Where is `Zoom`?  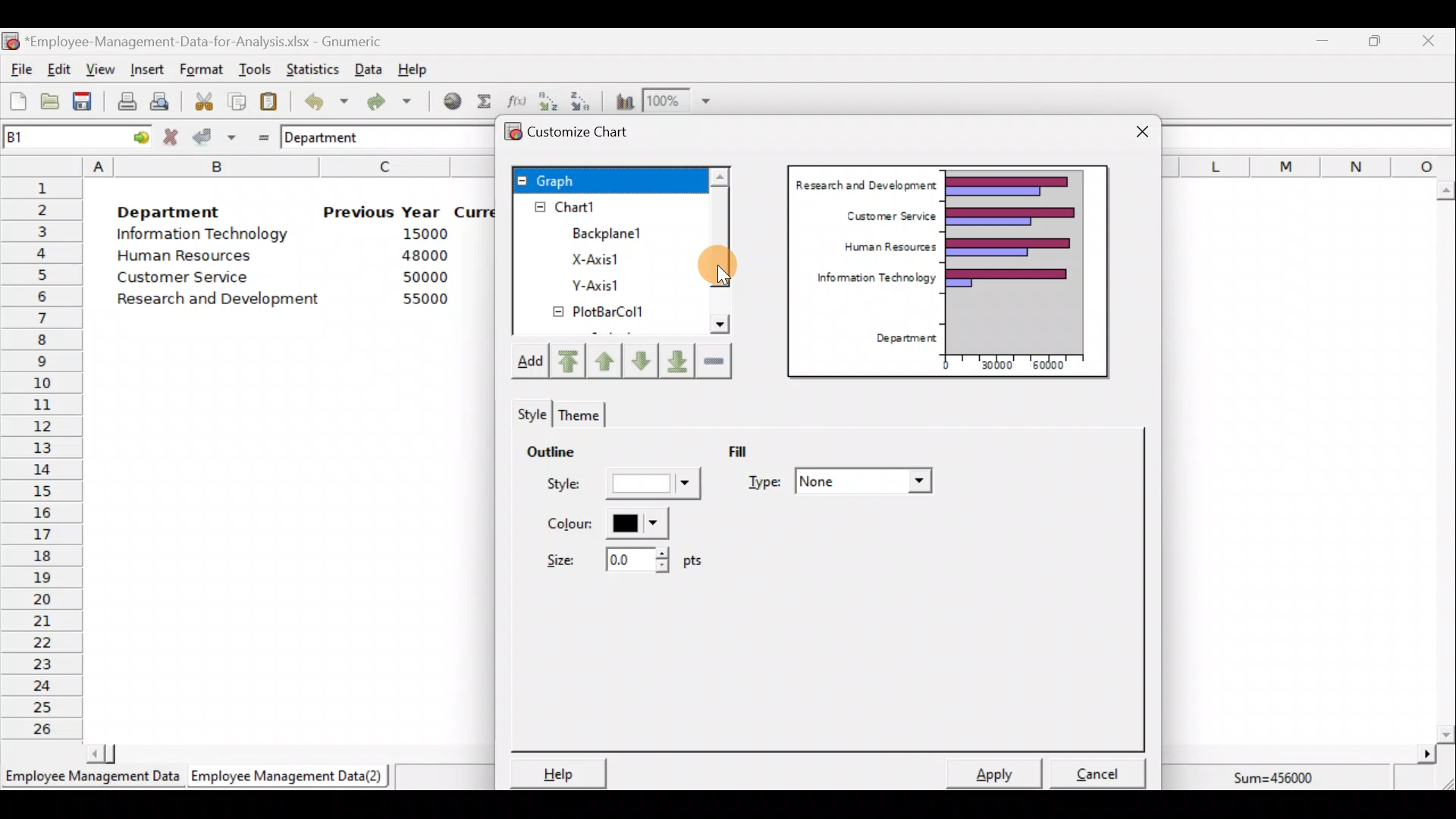
Zoom is located at coordinates (678, 101).